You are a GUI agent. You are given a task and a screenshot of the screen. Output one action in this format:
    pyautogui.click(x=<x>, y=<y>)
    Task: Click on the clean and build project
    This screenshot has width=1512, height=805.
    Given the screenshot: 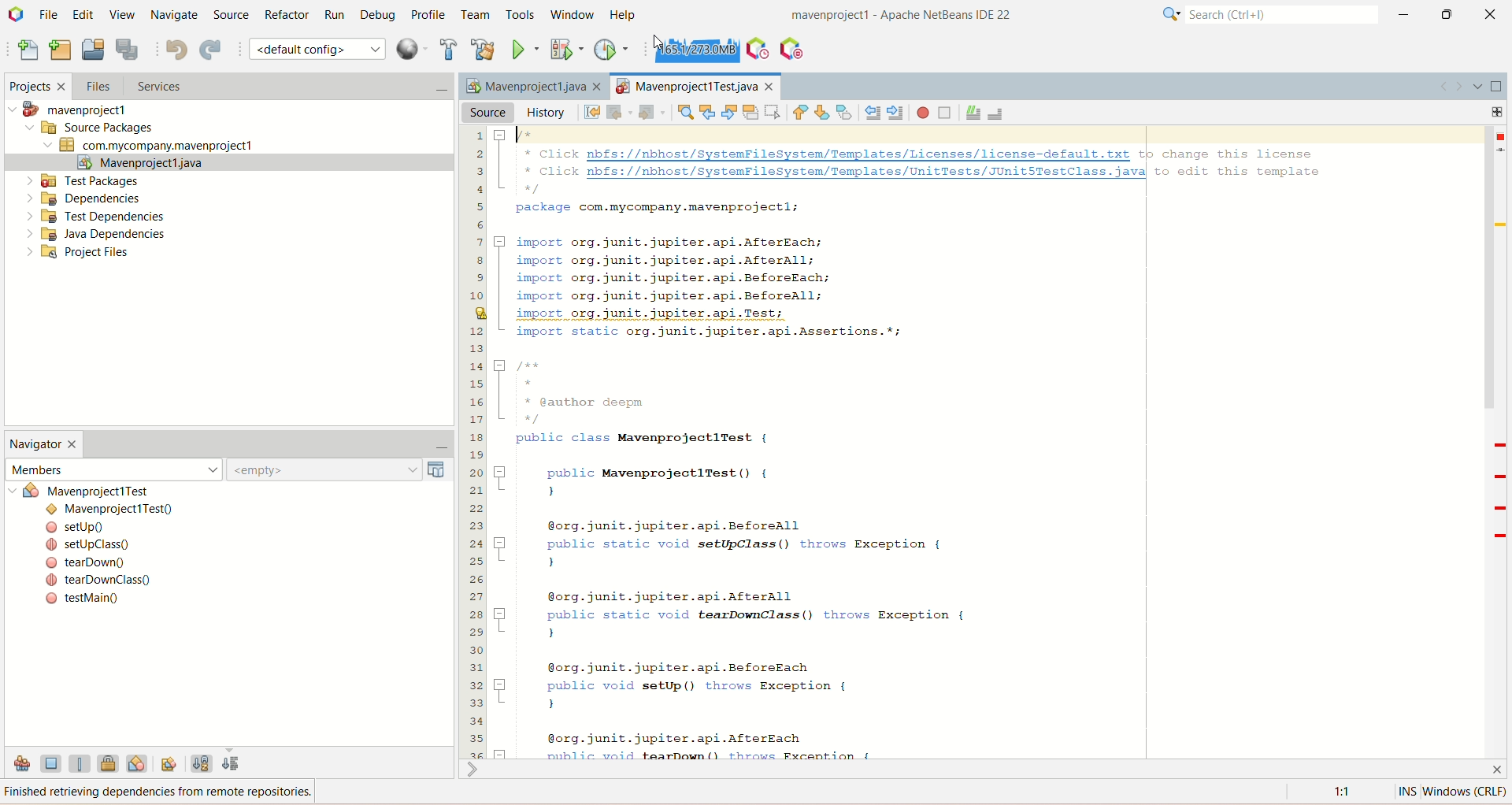 What is the action you would take?
    pyautogui.click(x=483, y=49)
    